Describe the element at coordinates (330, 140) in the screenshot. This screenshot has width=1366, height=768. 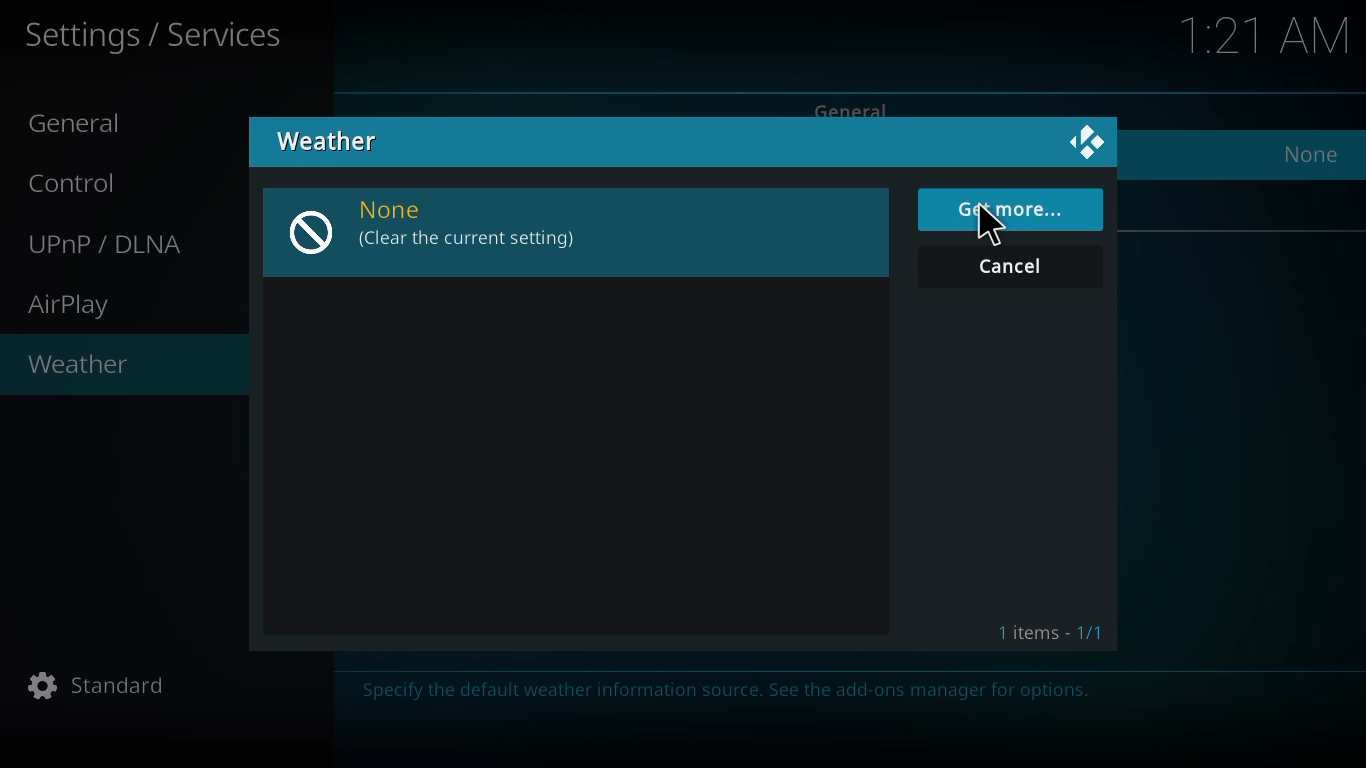
I see `weather` at that location.